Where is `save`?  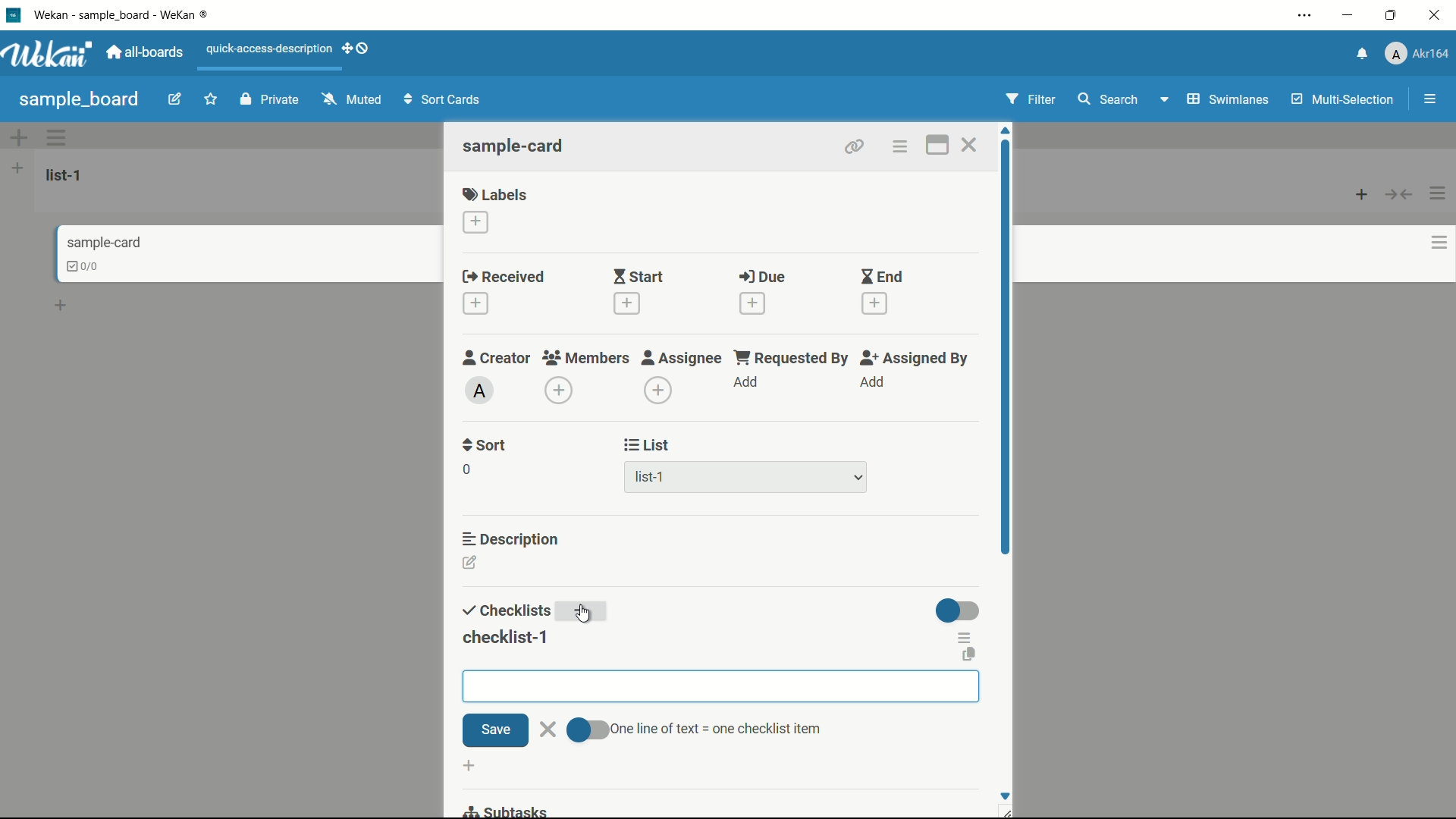
save is located at coordinates (495, 731).